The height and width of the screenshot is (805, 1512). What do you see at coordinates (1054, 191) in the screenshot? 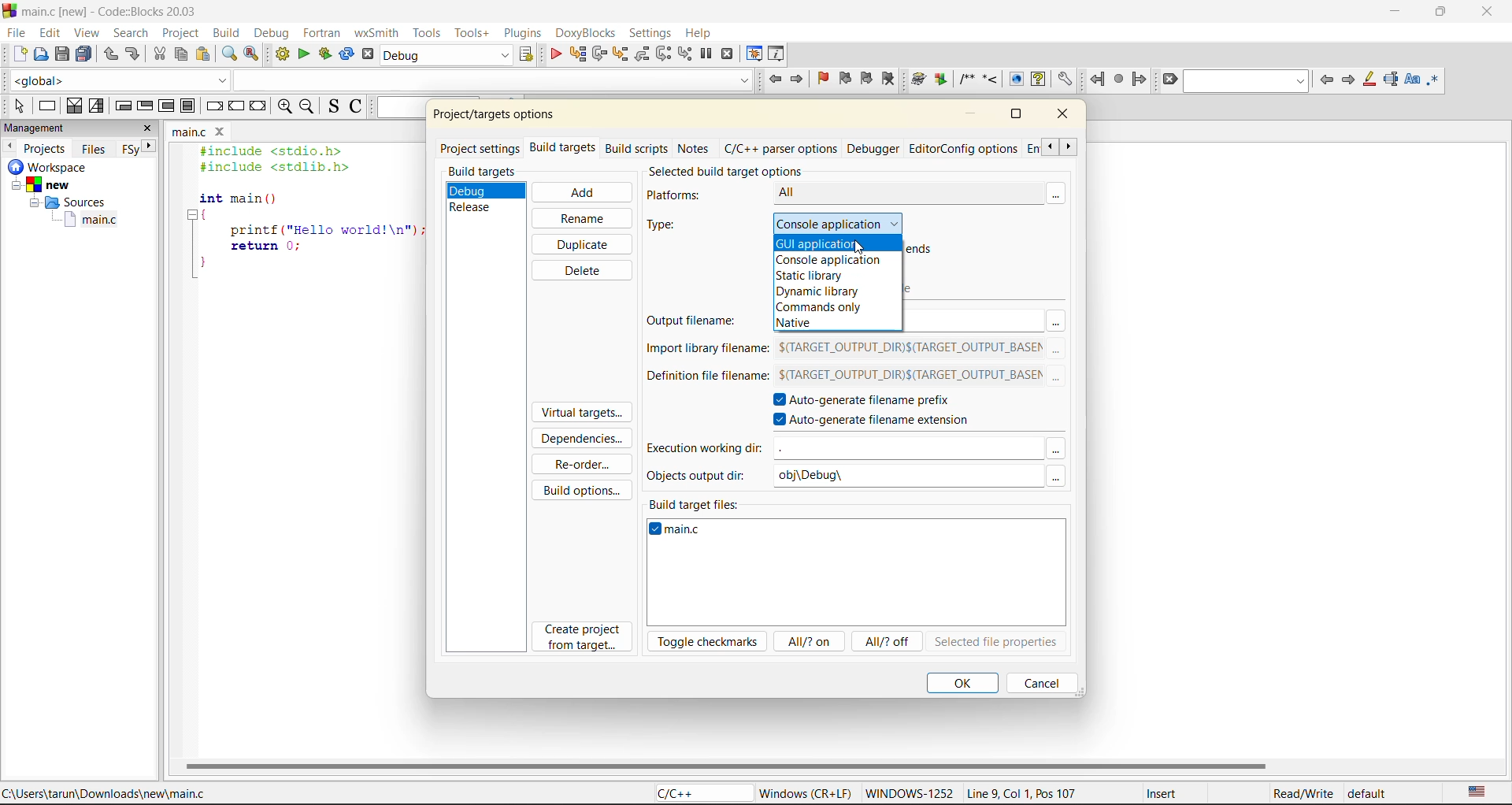
I see `more` at bounding box center [1054, 191].